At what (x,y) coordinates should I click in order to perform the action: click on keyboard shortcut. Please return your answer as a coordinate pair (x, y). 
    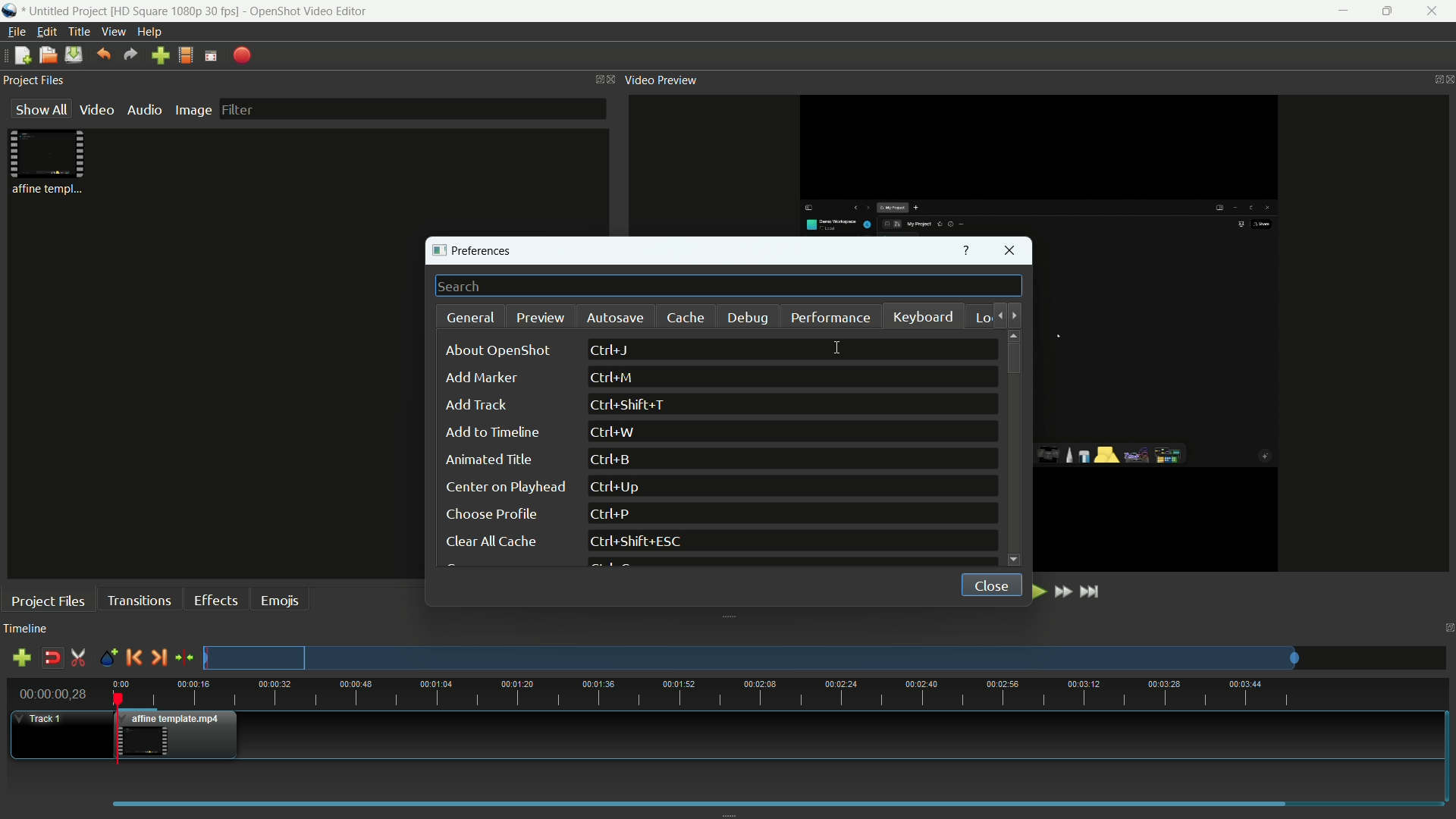
    Looking at the image, I should click on (613, 432).